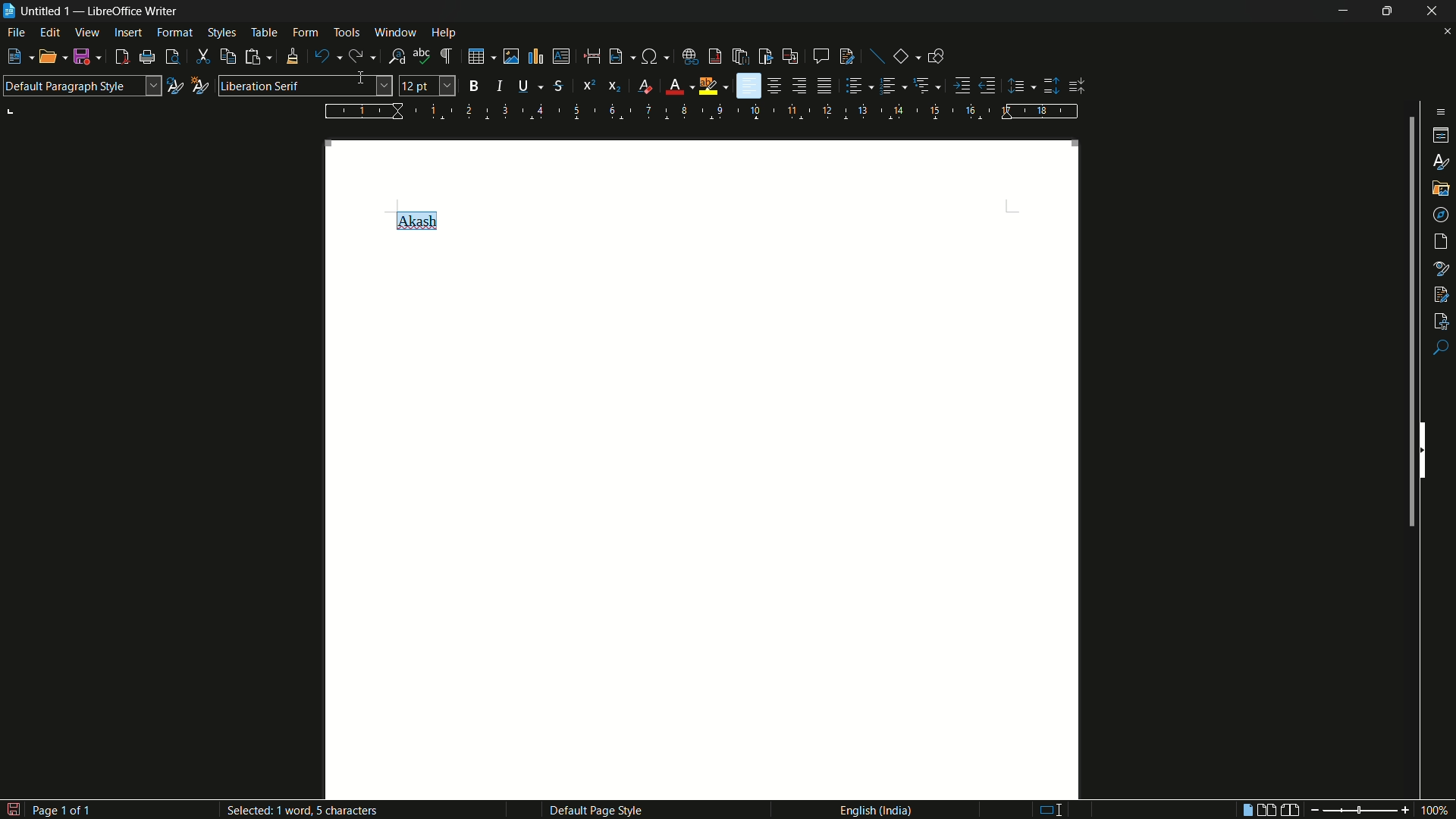 Image resolution: width=1456 pixels, height=819 pixels. Describe the element at coordinates (616, 86) in the screenshot. I see `subscript` at that location.